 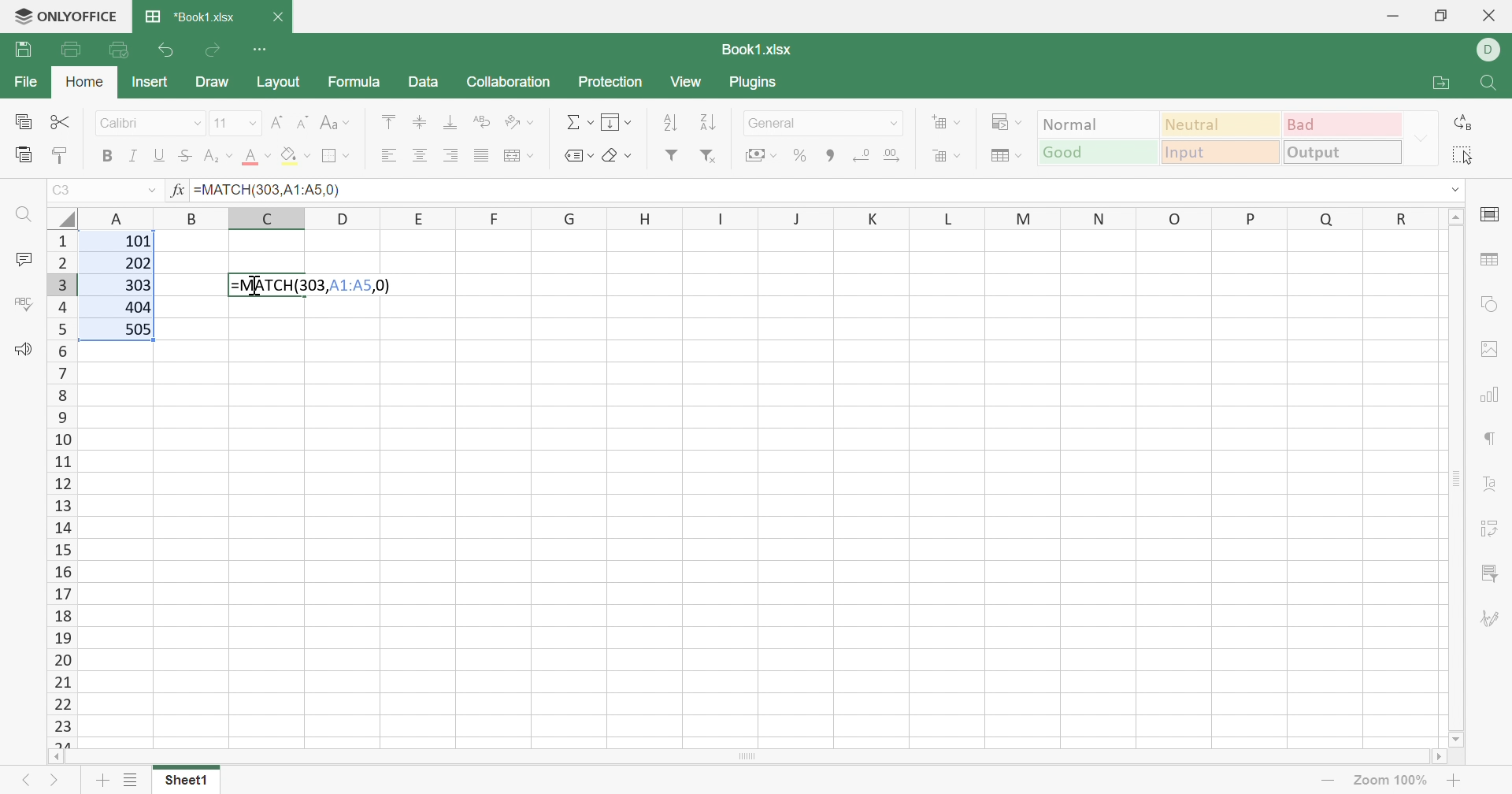 What do you see at coordinates (268, 50) in the screenshot?
I see `Customize quick access toolbar` at bounding box center [268, 50].